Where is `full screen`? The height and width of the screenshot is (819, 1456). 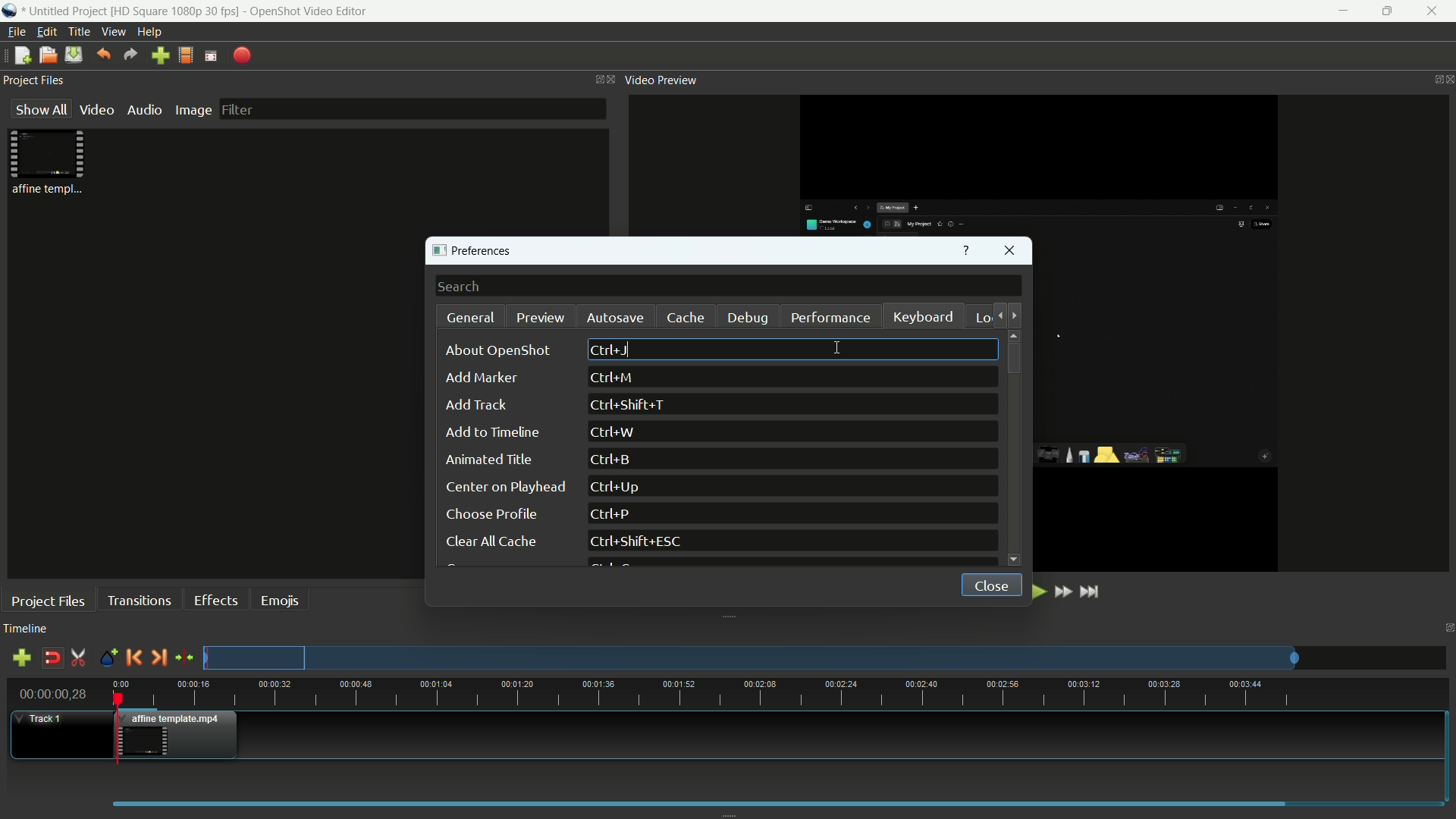 full screen is located at coordinates (211, 55).